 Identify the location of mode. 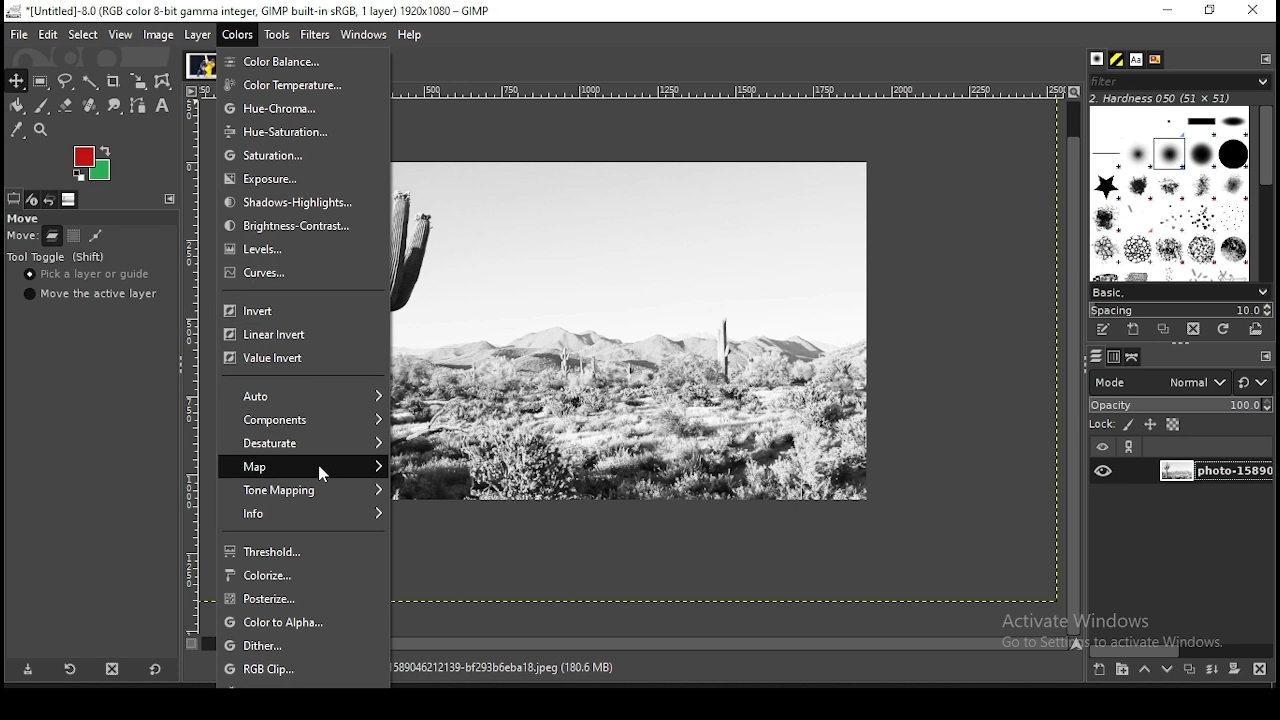
(1159, 381).